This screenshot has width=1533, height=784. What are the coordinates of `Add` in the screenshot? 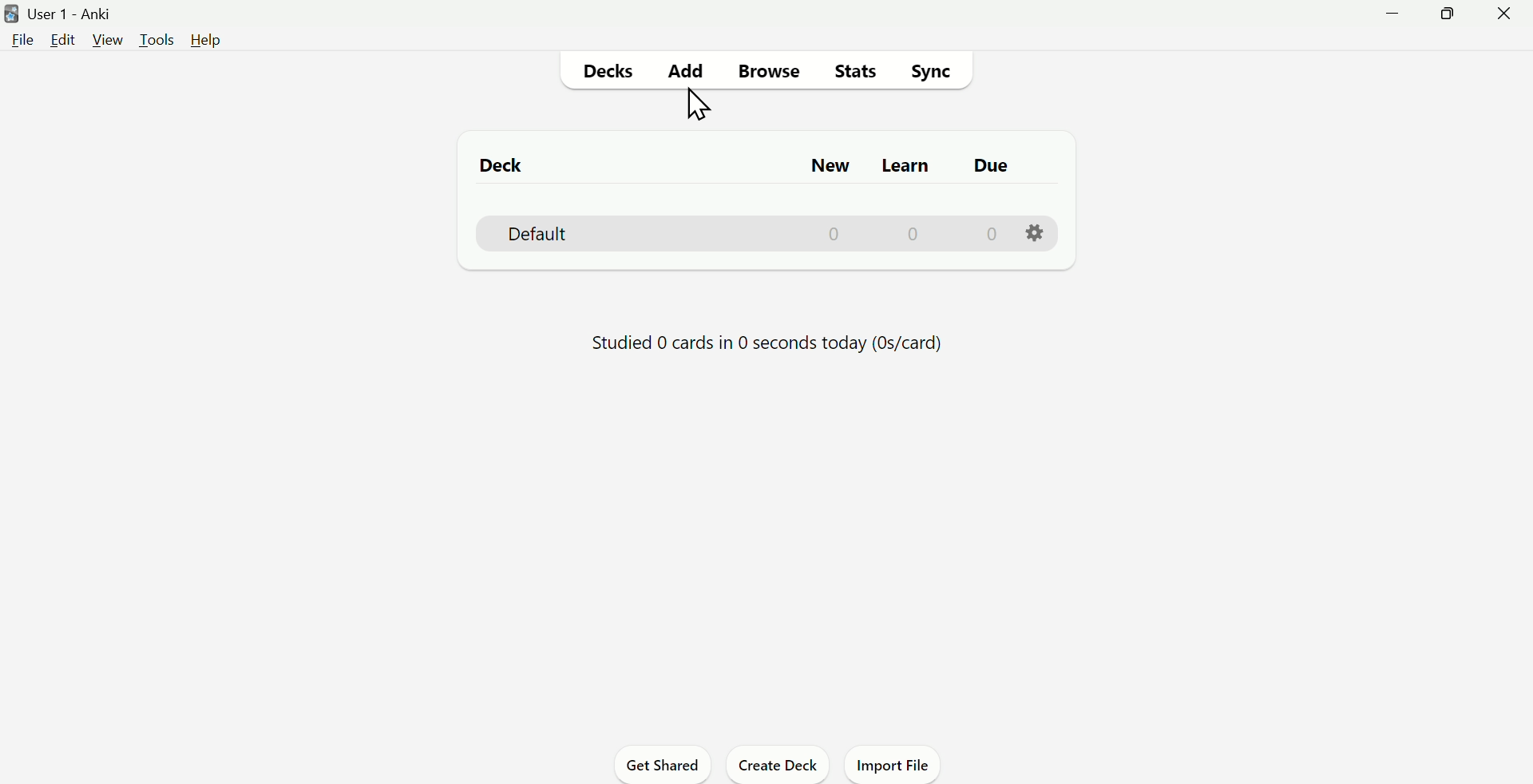 It's located at (680, 70).